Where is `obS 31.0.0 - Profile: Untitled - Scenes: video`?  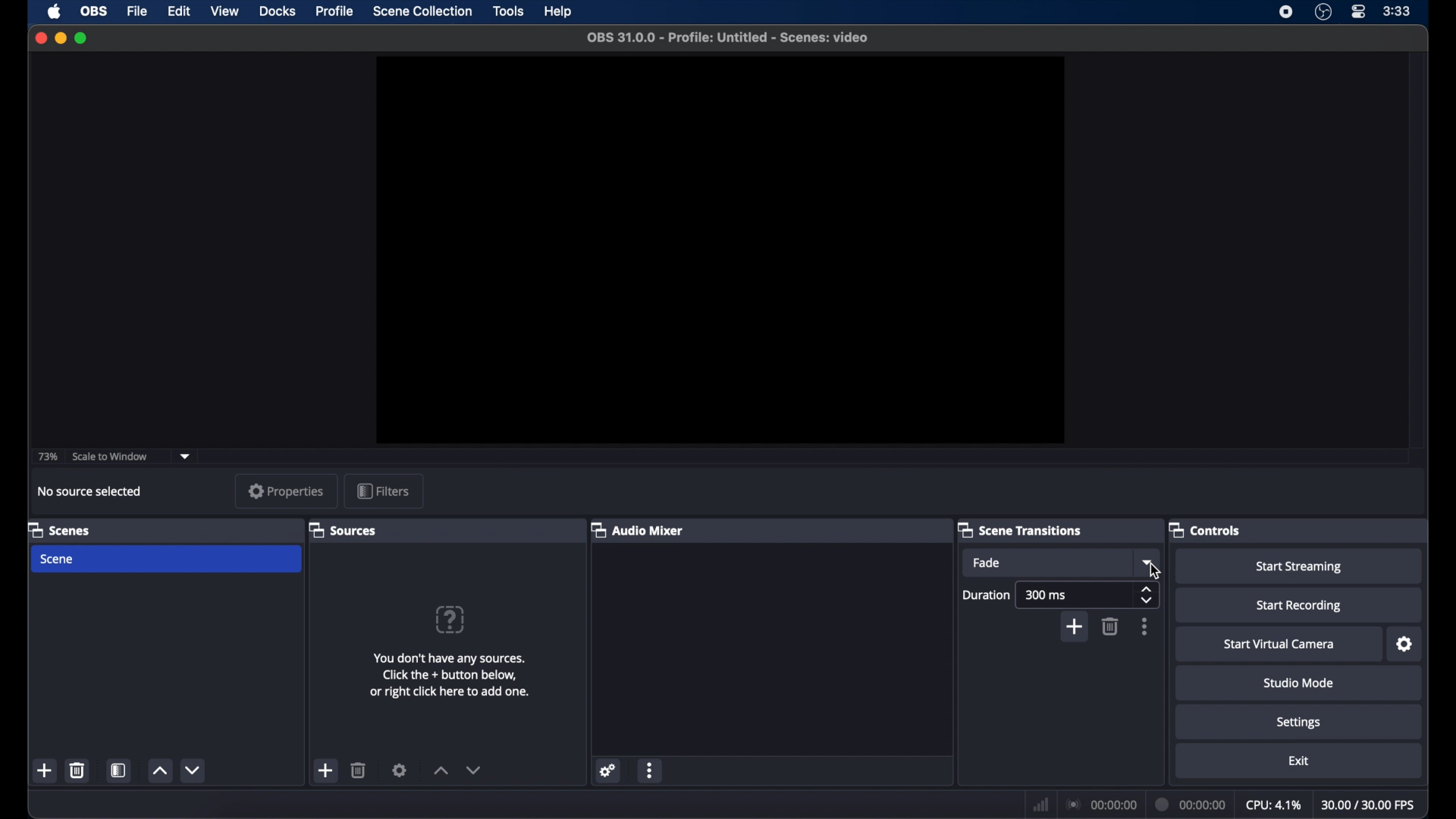
obS 31.0.0 - Profile: Untitled - Scenes: video is located at coordinates (736, 41).